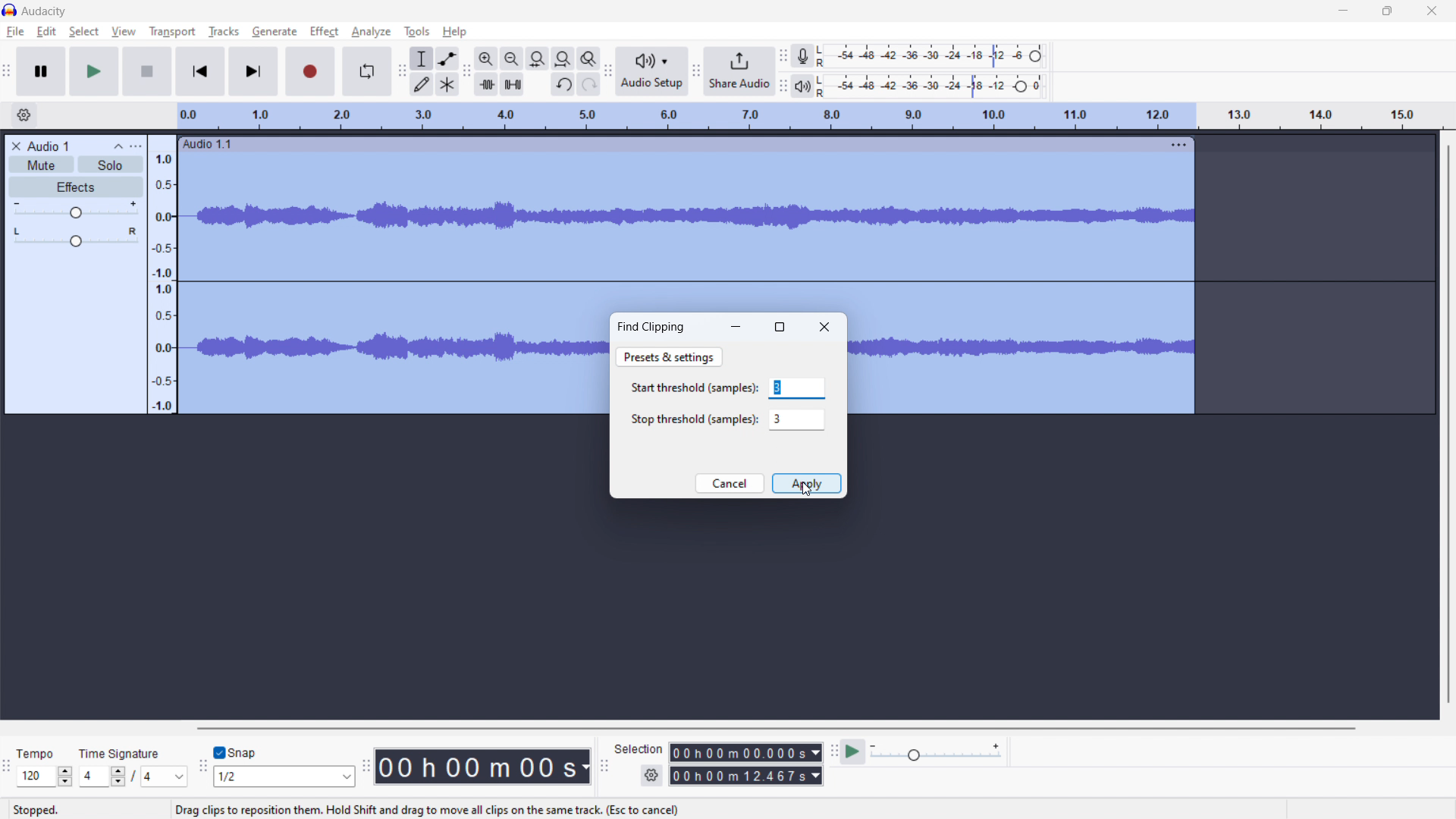 This screenshot has width=1456, height=819. Describe the element at coordinates (589, 84) in the screenshot. I see `redo` at that location.